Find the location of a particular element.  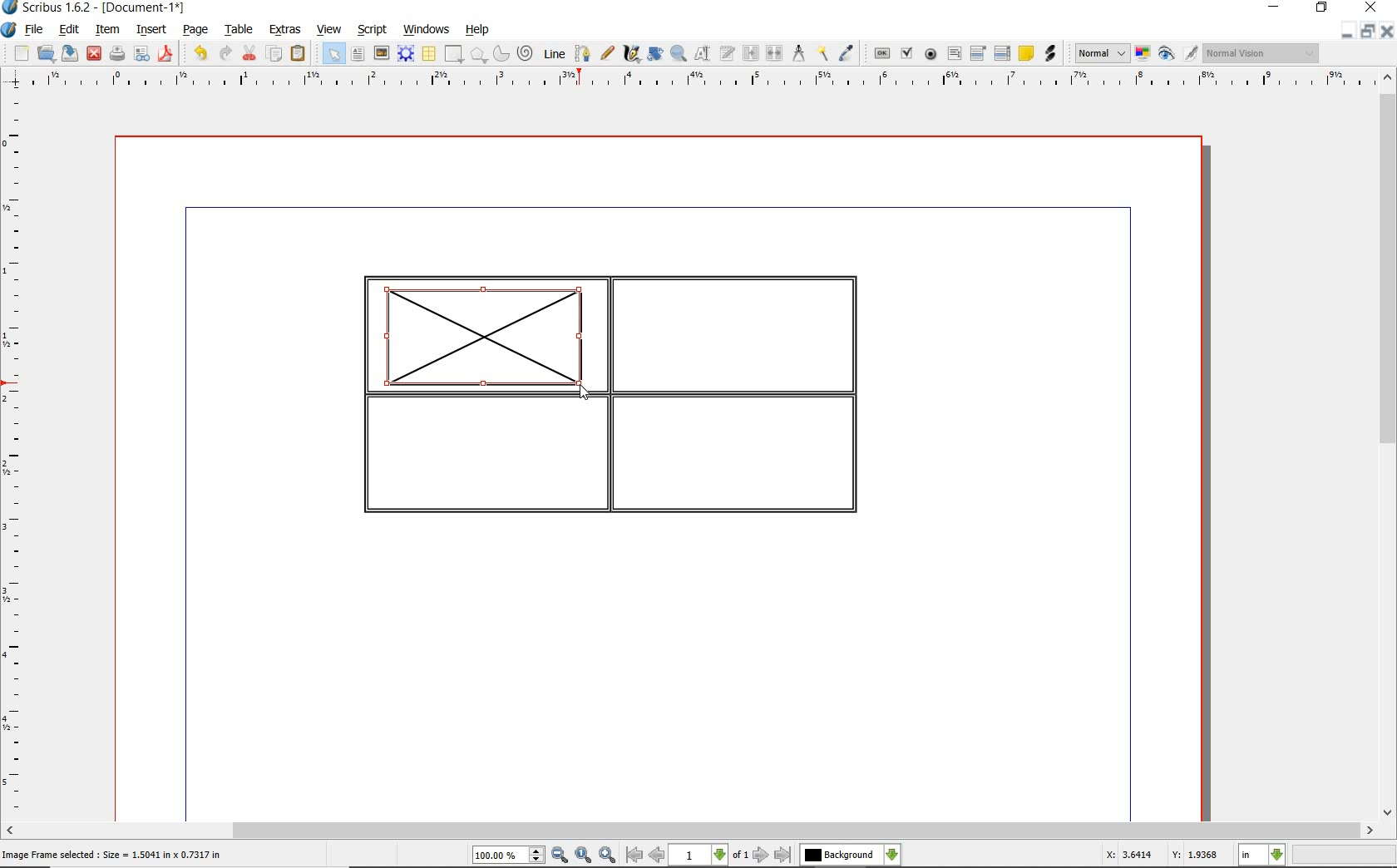

table is located at coordinates (240, 31).